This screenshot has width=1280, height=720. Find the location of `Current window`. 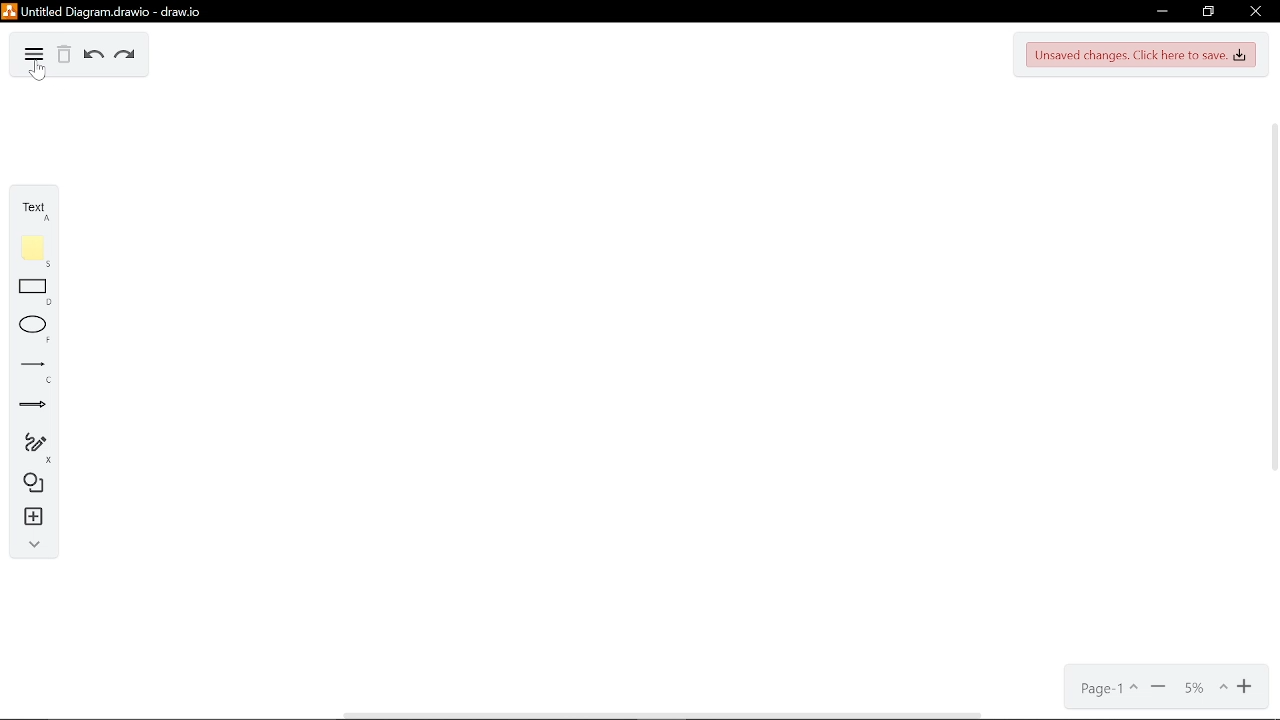

Current window is located at coordinates (110, 10).